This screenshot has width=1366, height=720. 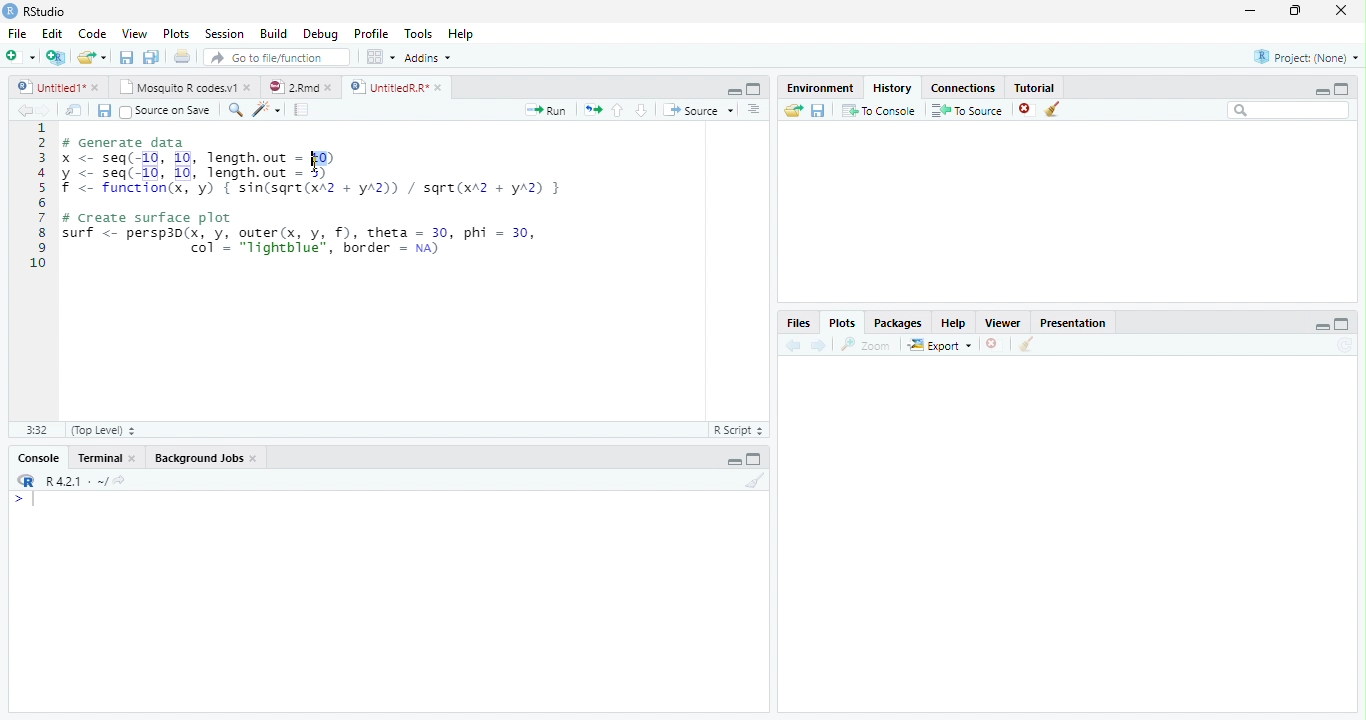 I want to click on Help, so click(x=954, y=322).